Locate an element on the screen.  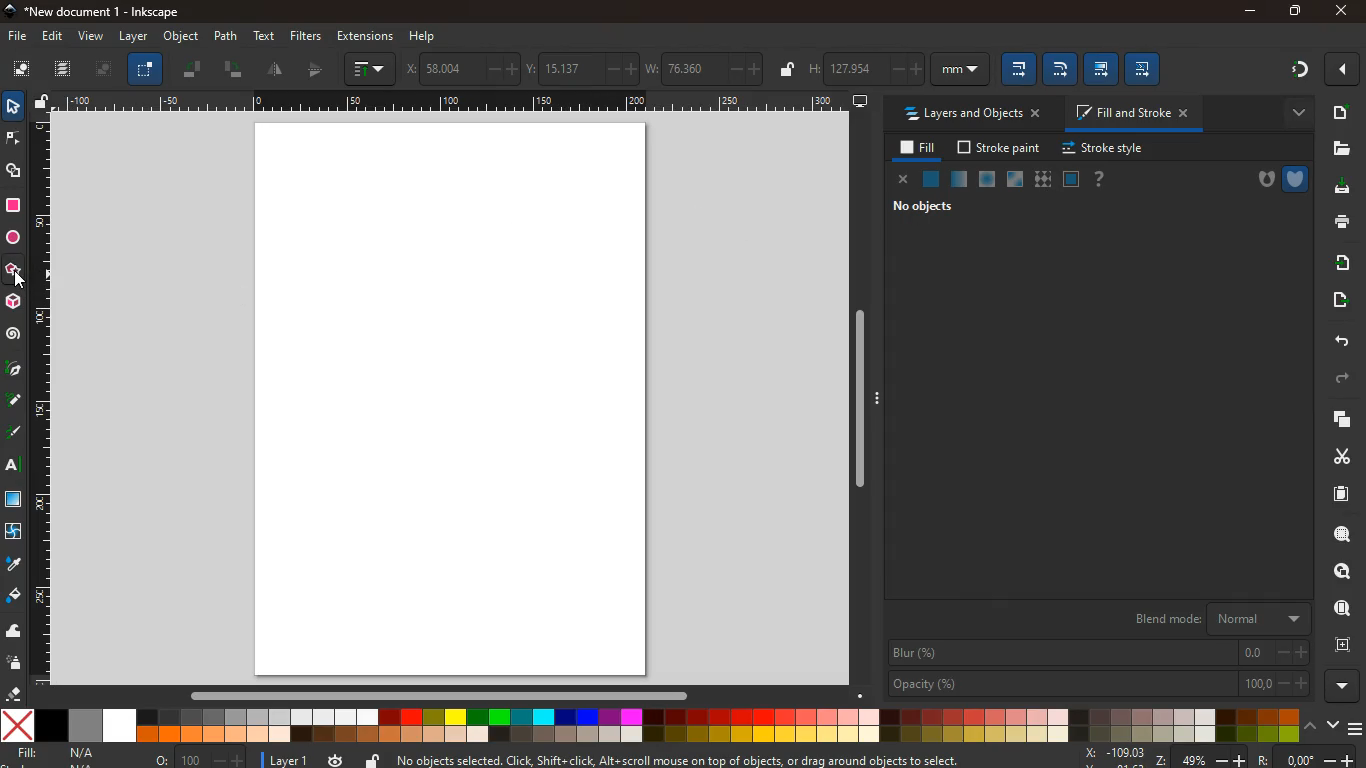
forward is located at coordinates (1334, 380).